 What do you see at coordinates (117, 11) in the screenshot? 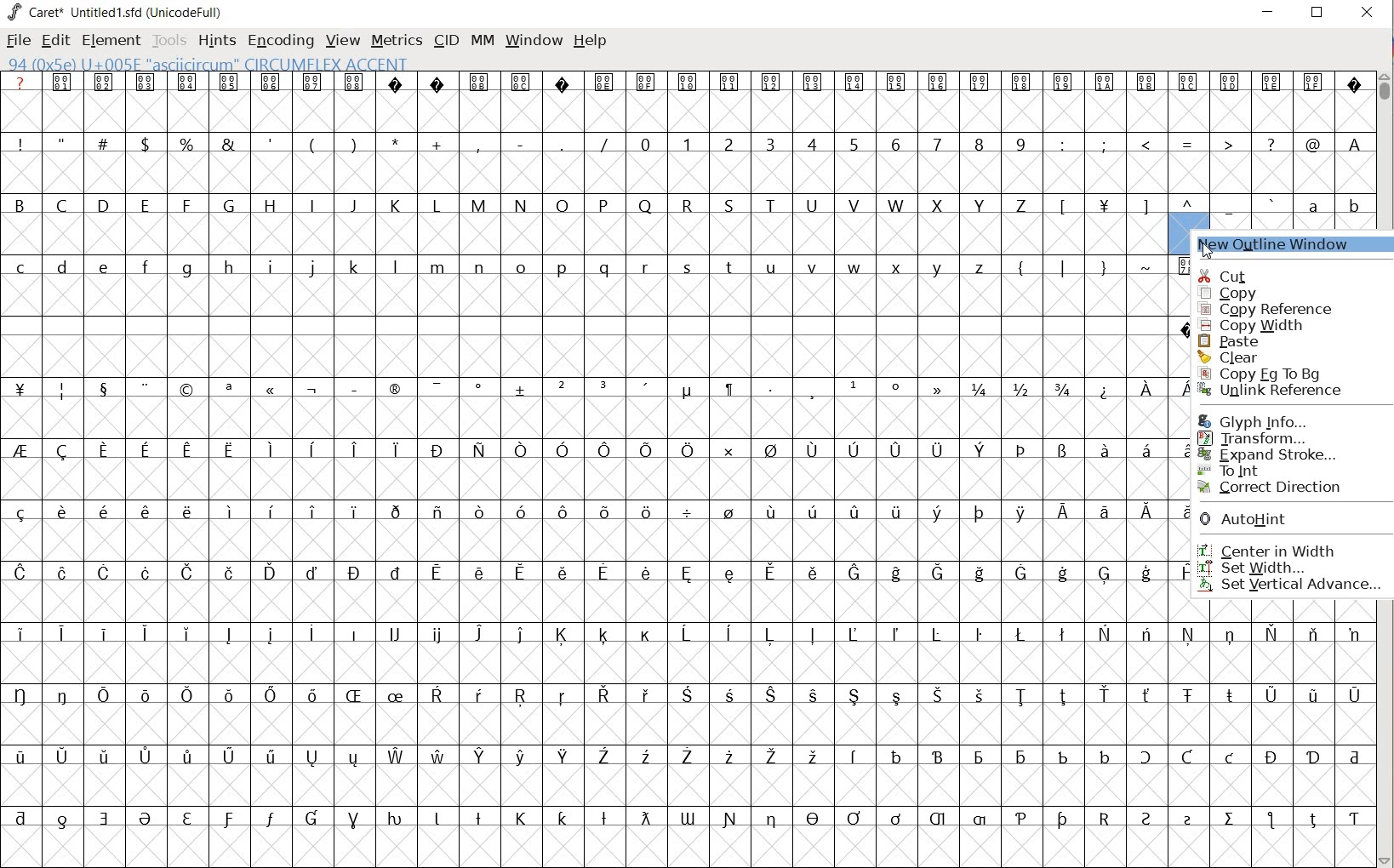
I see `caret* untitled1.sfd (unicodefull)` at bounding box center [117, 11].